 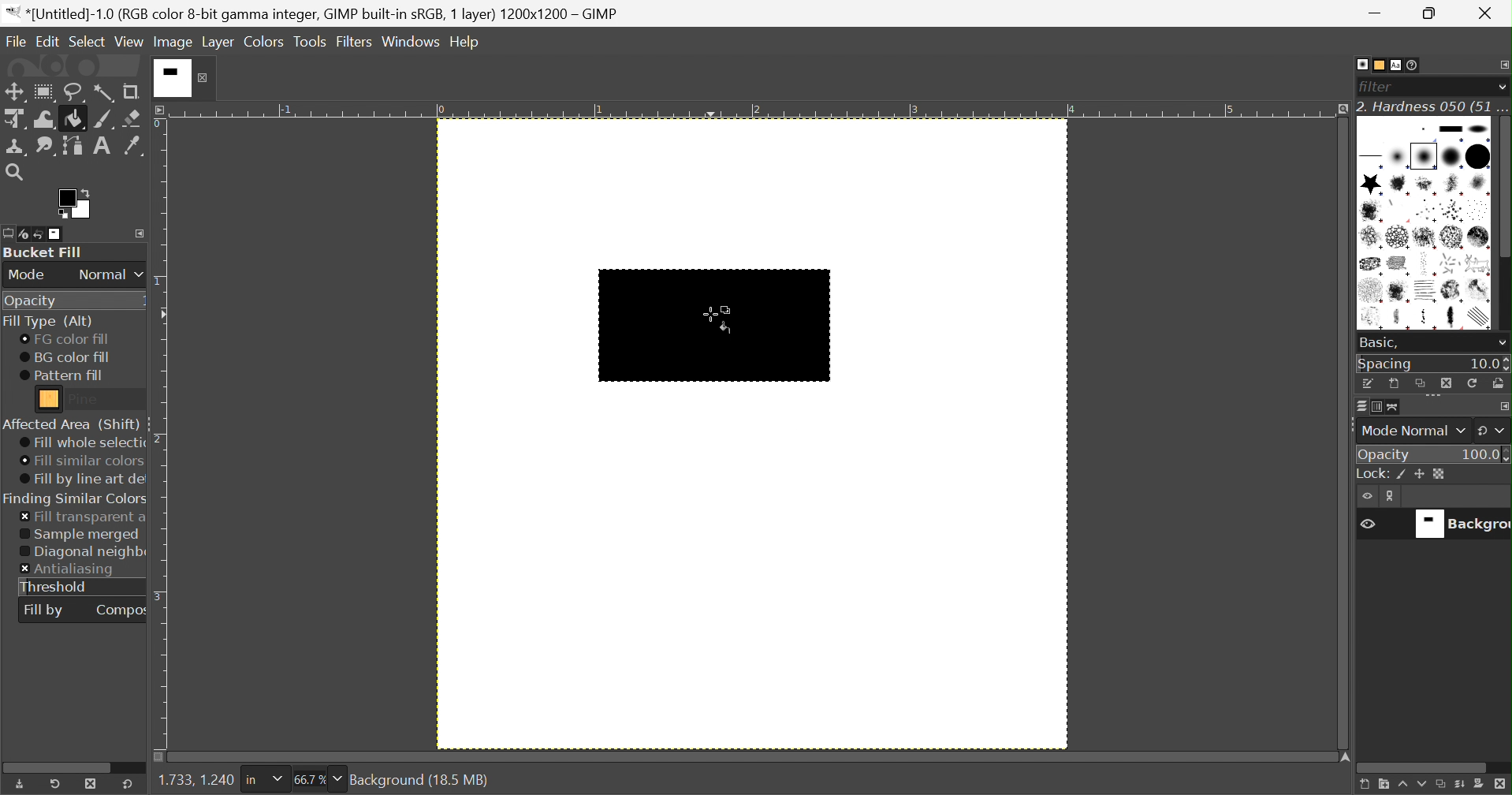 What do you see at coordinates (75, 120) in the screenshot?
I see `Bucket Fill Tool` at bounding box center [75, 120].